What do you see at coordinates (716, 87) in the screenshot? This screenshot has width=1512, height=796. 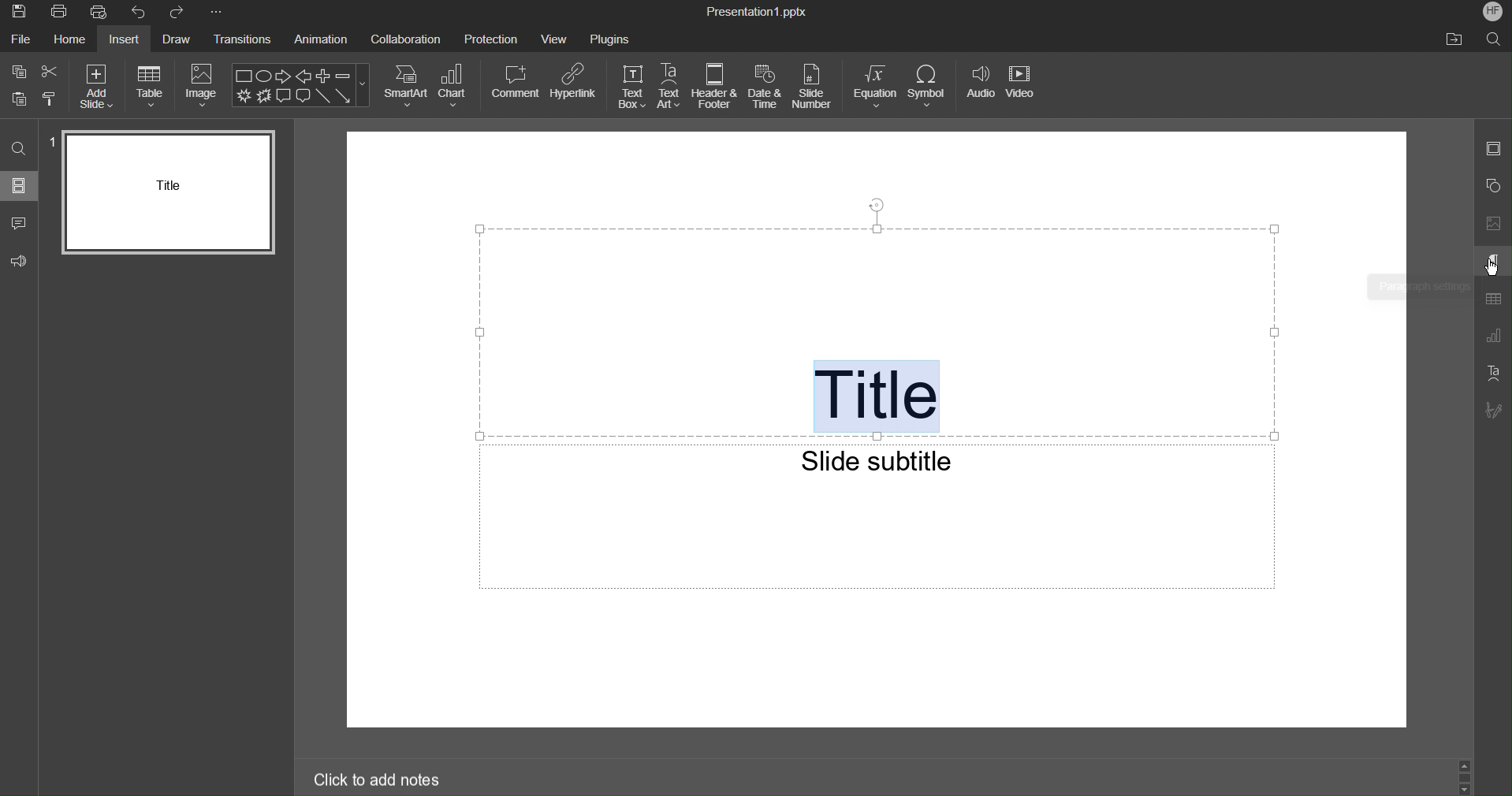 I see `Header & Footer` at bounding box center [716, 87].